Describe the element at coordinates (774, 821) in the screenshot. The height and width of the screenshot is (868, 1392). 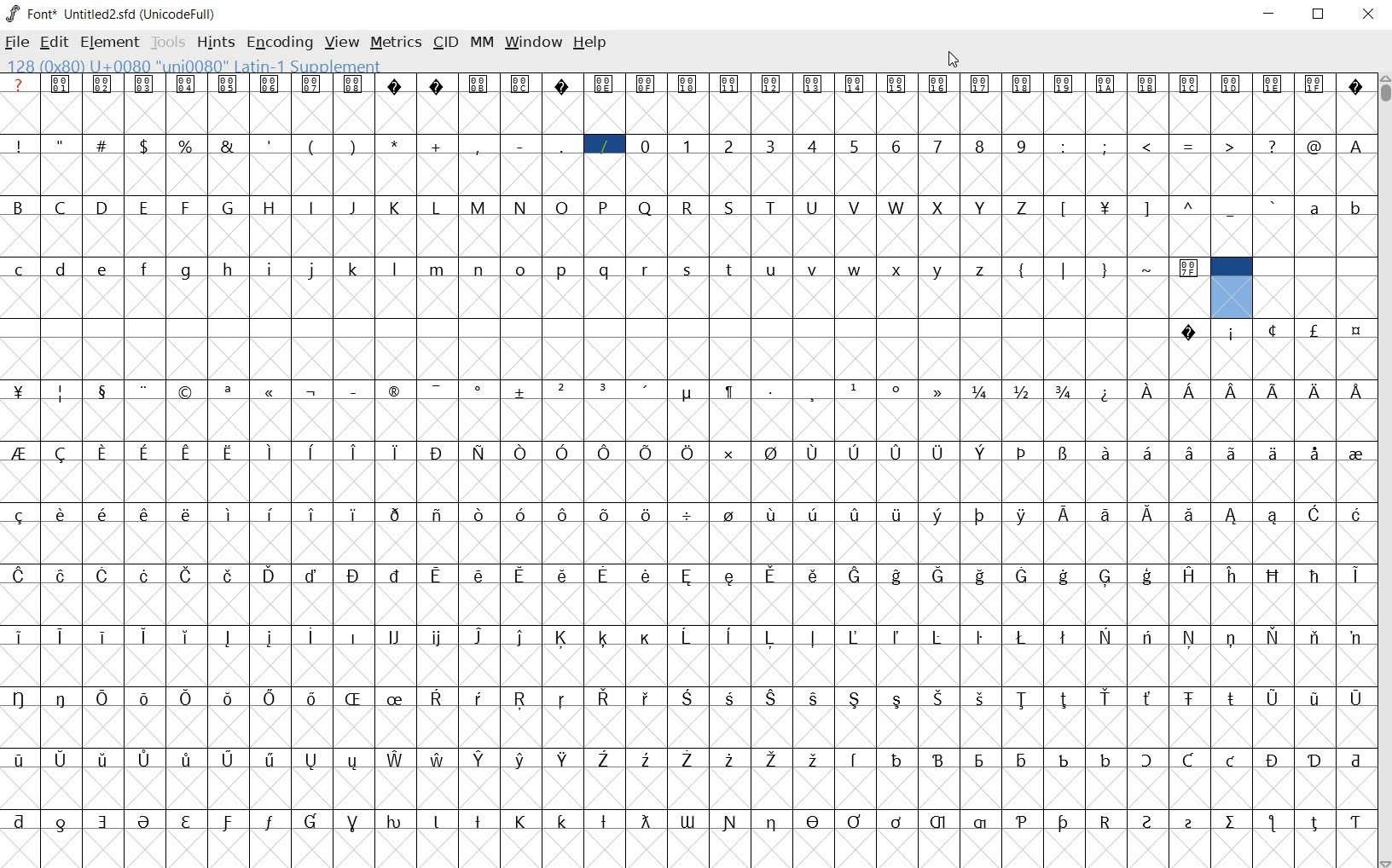
I see `Symbol` at that location.